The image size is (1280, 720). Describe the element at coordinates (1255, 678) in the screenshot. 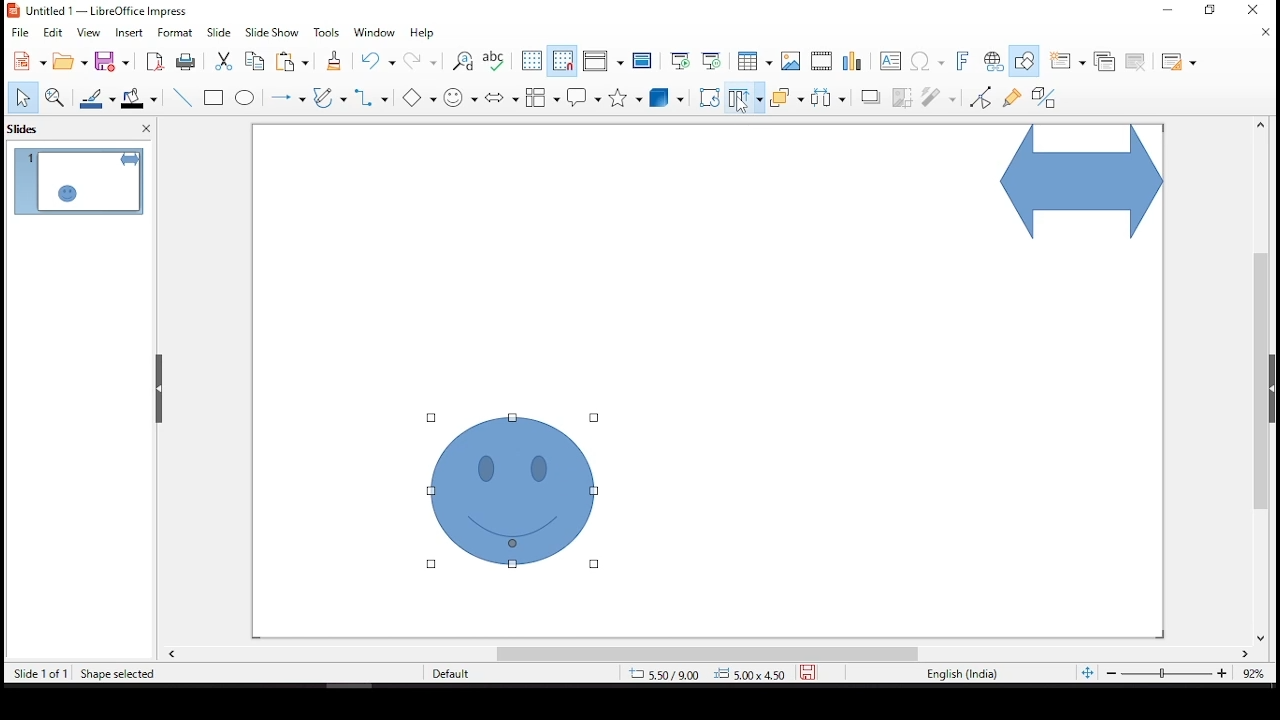

I see `zoom level` at that location.